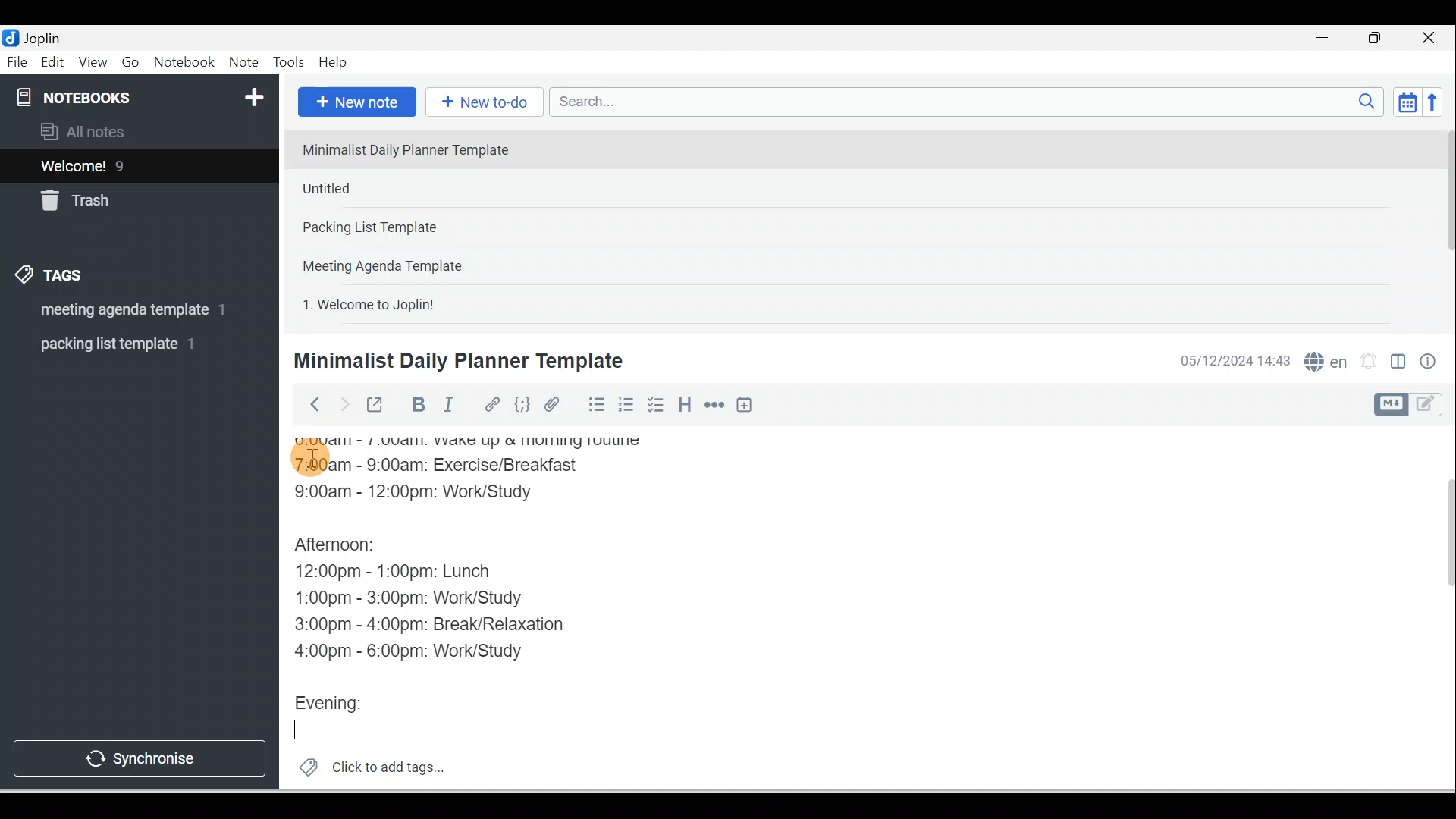 The height and width of the screenshot is (819, 1456). What do you see at coordinates (128, 344) in the screenshot?
I see `Tag 2` at bounding box center [128, 344].